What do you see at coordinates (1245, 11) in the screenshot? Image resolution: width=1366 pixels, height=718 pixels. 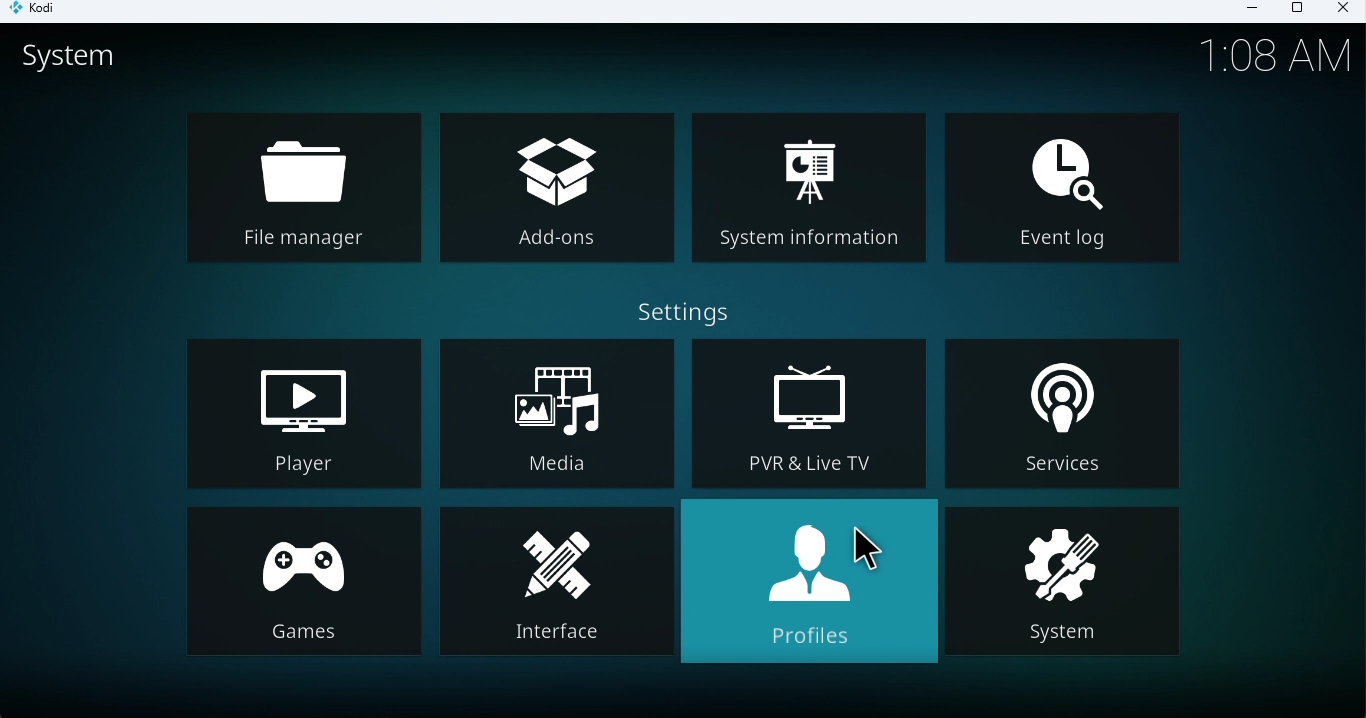 I see `Minimize` at bounding box center [1245, 11].